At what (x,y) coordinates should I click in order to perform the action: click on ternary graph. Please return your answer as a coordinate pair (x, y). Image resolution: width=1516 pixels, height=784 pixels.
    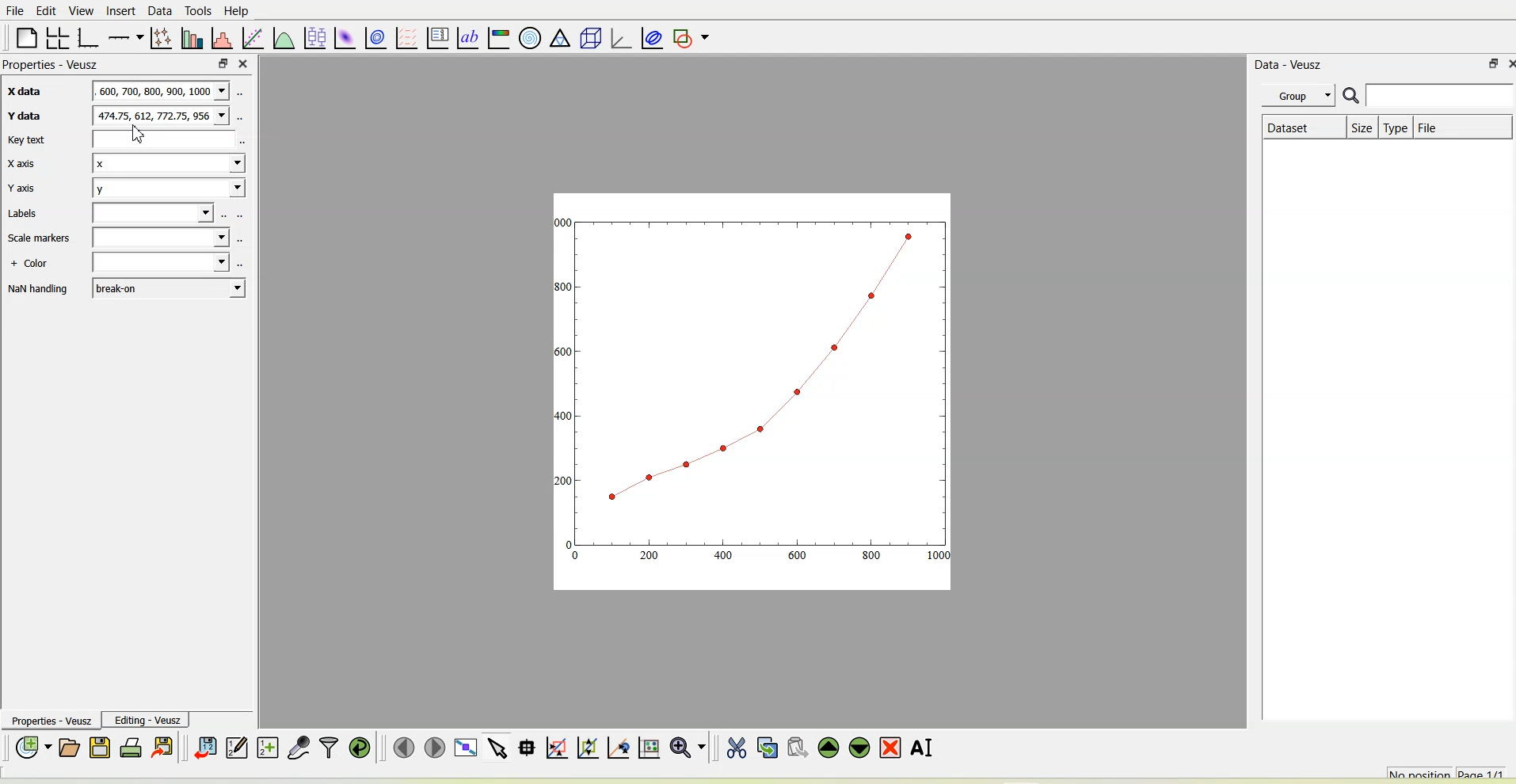
    Looking at the image, I should click on (560, 38).